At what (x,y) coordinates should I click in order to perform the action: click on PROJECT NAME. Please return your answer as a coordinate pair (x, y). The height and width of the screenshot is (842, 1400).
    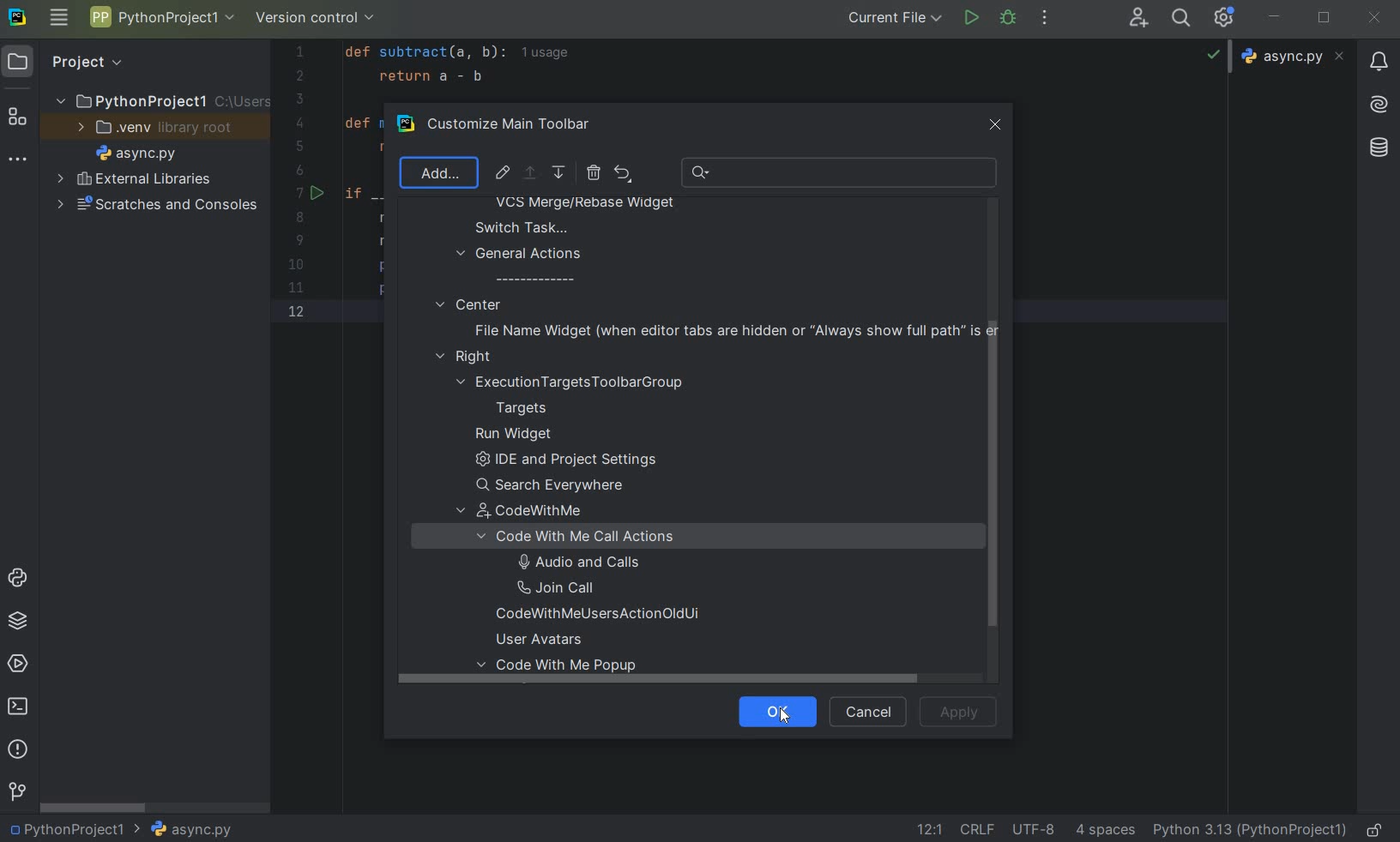
    Looking at the image, I should click on (161, 20).